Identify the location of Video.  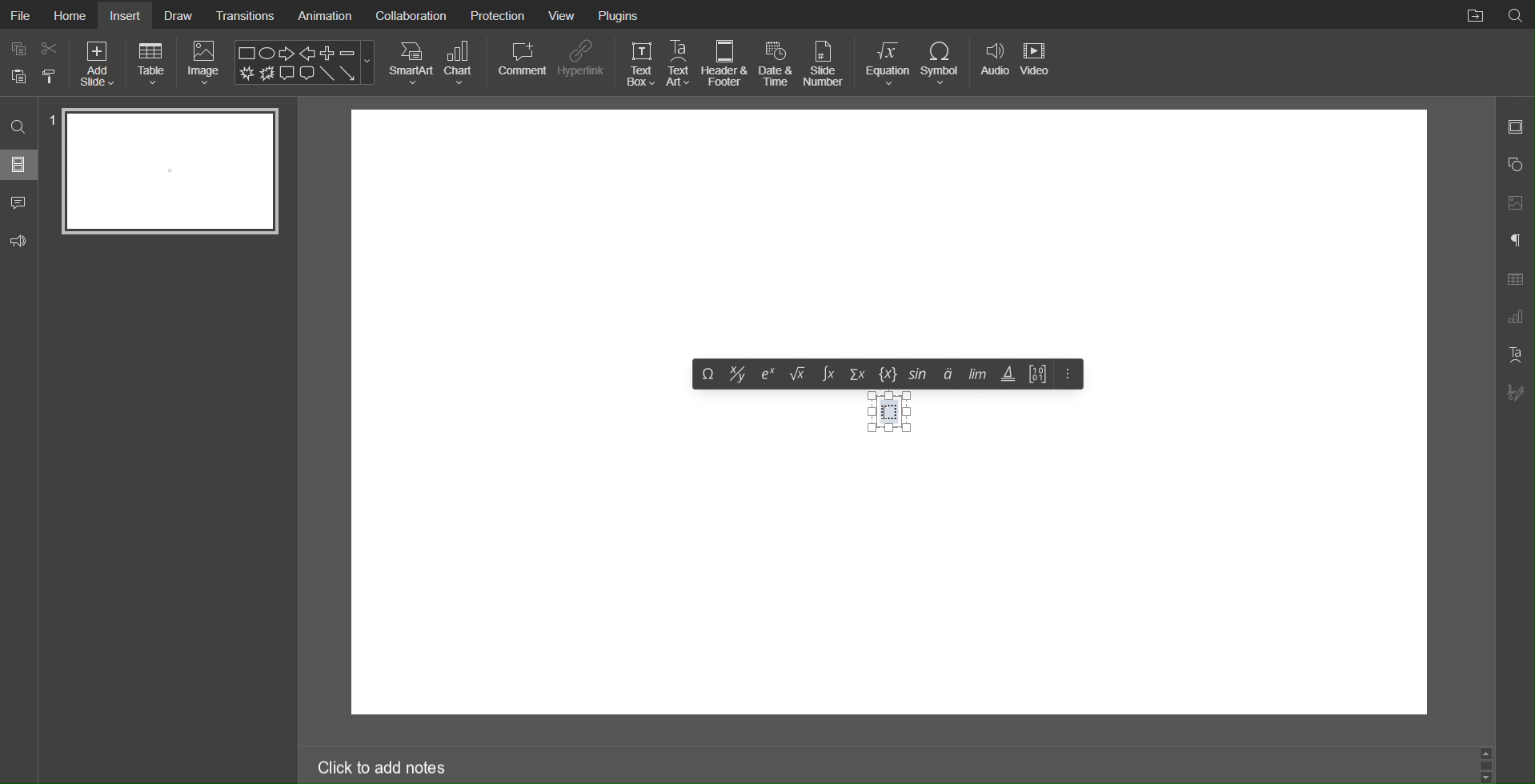
(1040, 62).